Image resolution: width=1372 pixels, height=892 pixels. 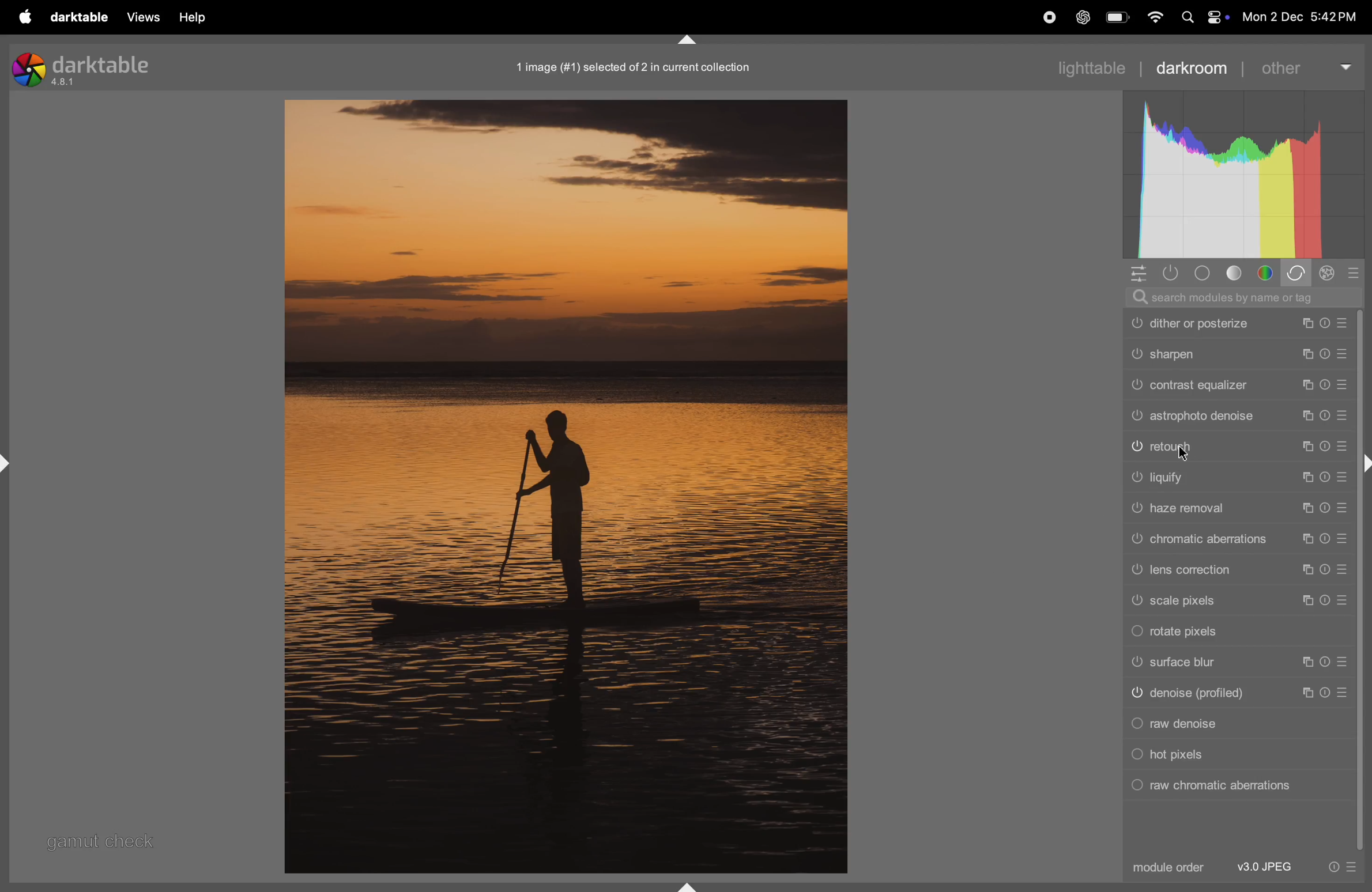 What do you see at coordinates (1305, 67) in the screenshot?
I see `other` at bounding box center [1305, 67].